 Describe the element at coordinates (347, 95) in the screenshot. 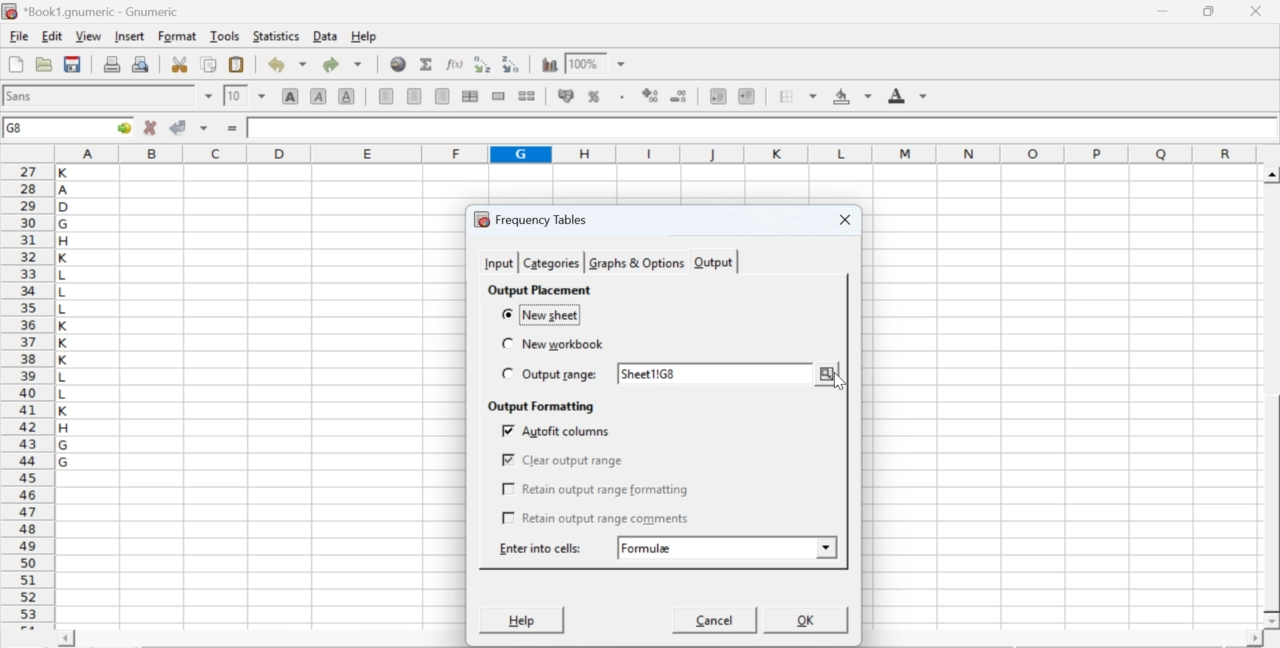

I see `underline` at that location.